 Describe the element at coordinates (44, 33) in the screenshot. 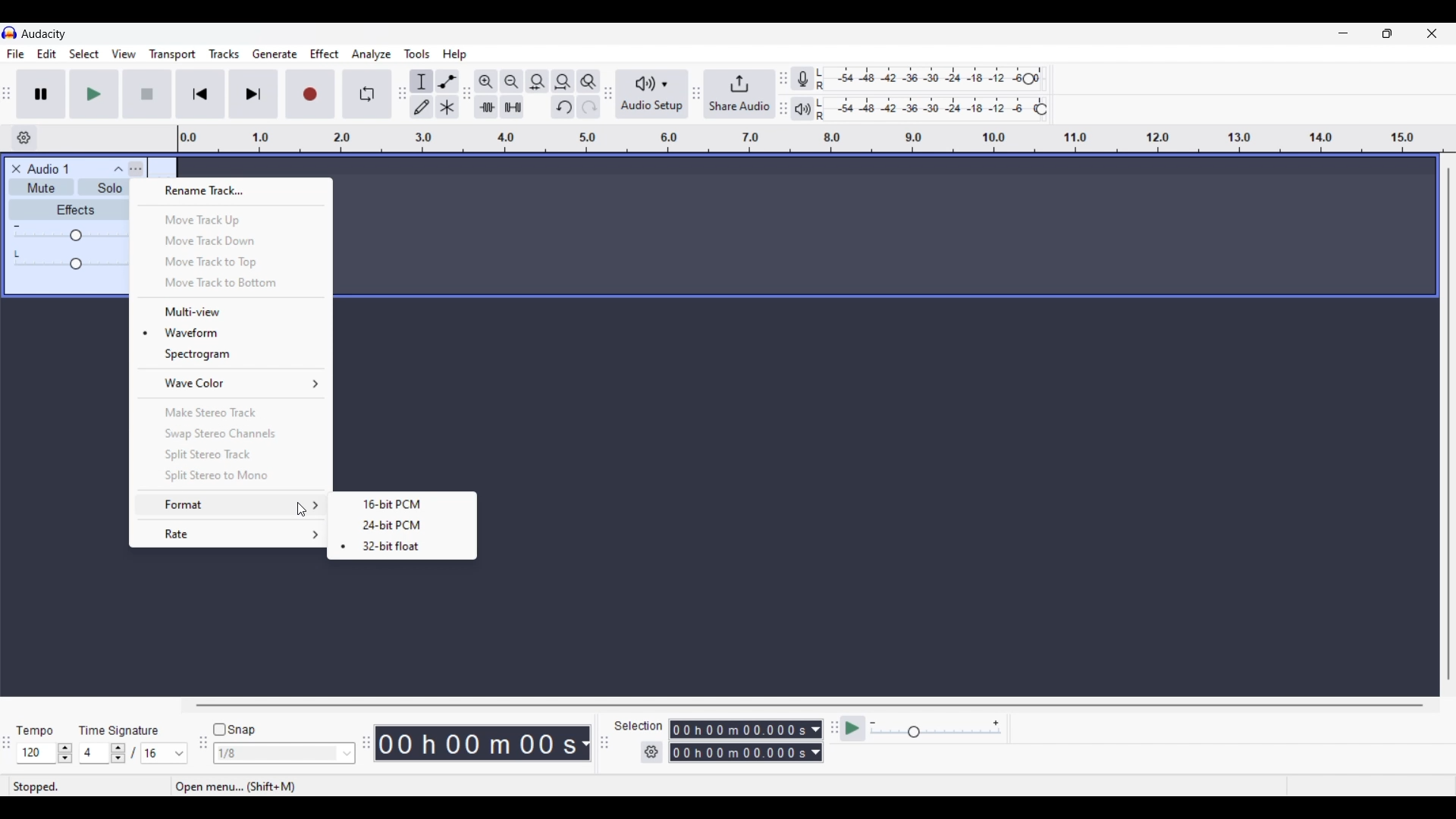

I see `Software name` at that location.